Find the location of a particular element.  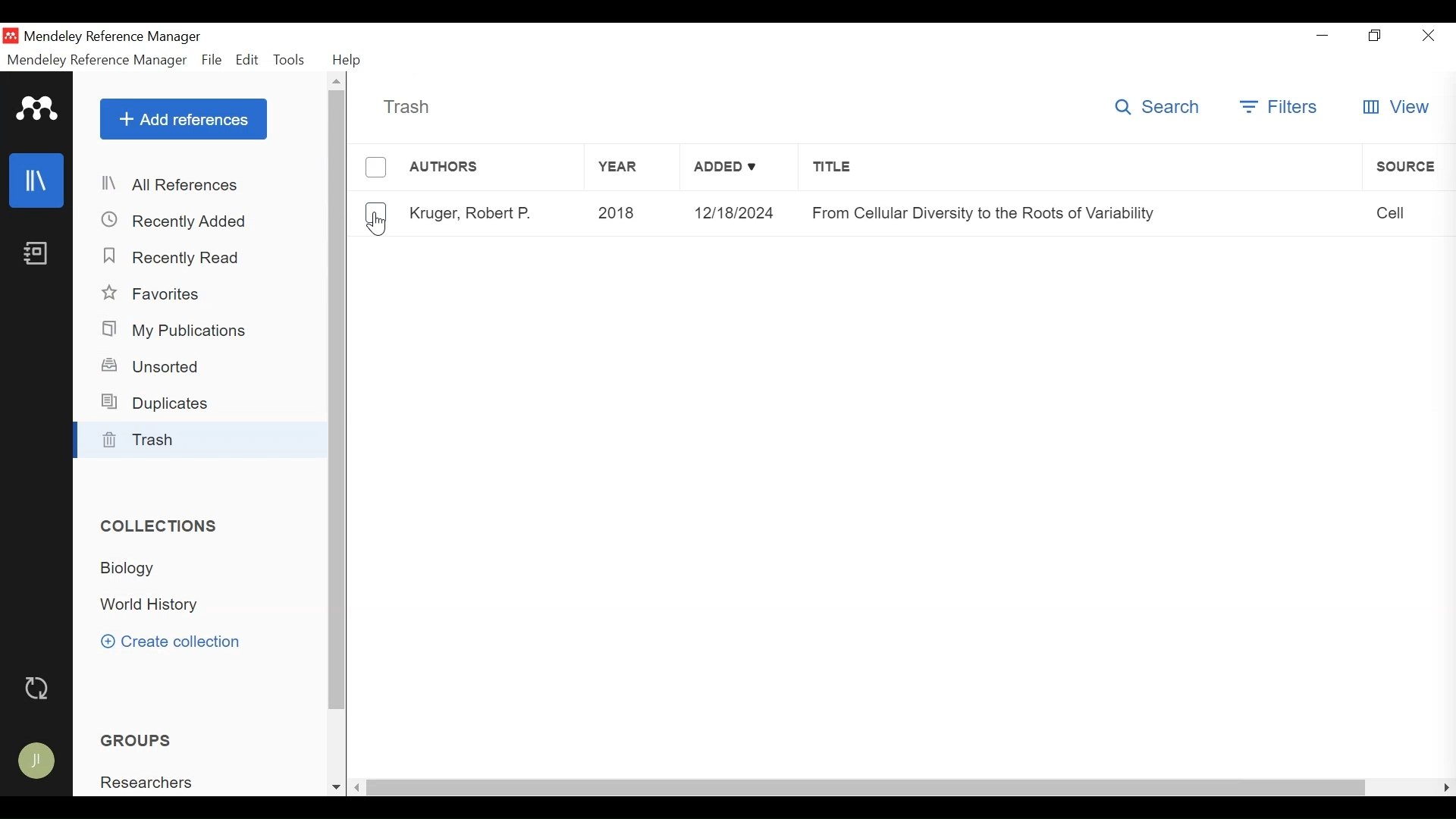

Vertical Scroll bar is located at coordinates (338, 401).